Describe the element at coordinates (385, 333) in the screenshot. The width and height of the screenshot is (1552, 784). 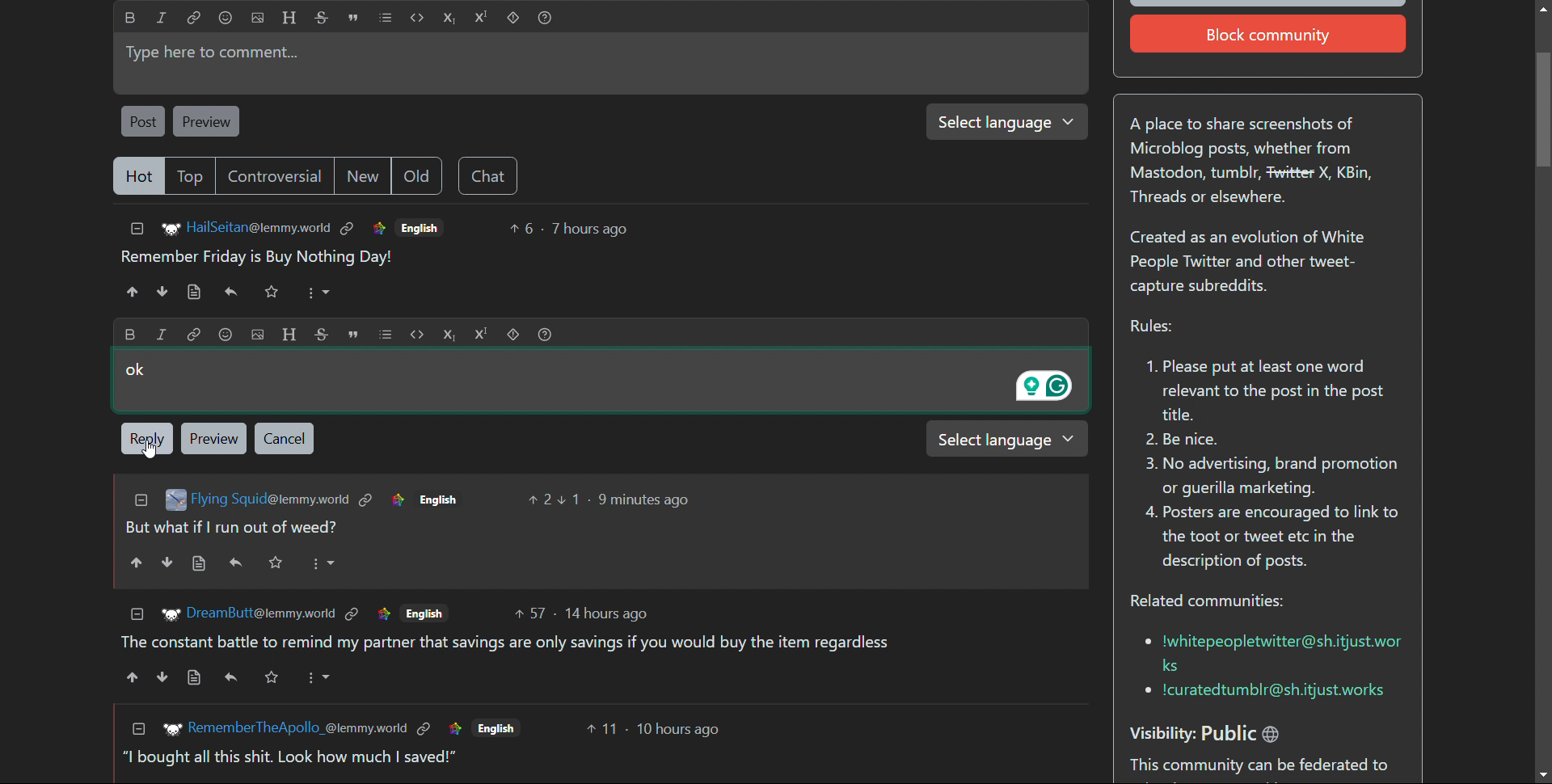
I see `list` at that location.